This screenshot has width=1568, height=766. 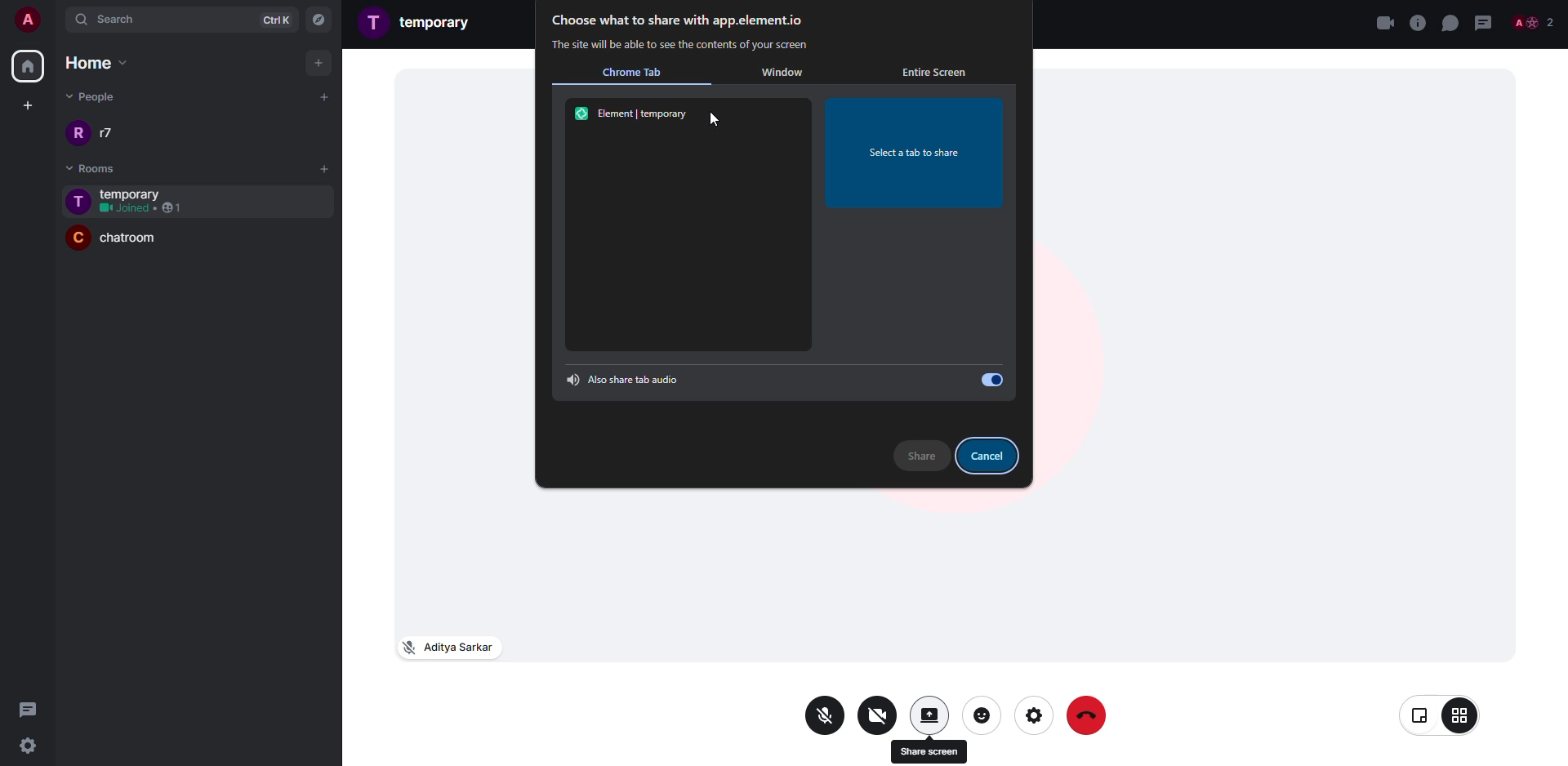 What do you see at coordinates (34, 745) in the screenshot?
I see `settings` at bounding box center [34, 745].